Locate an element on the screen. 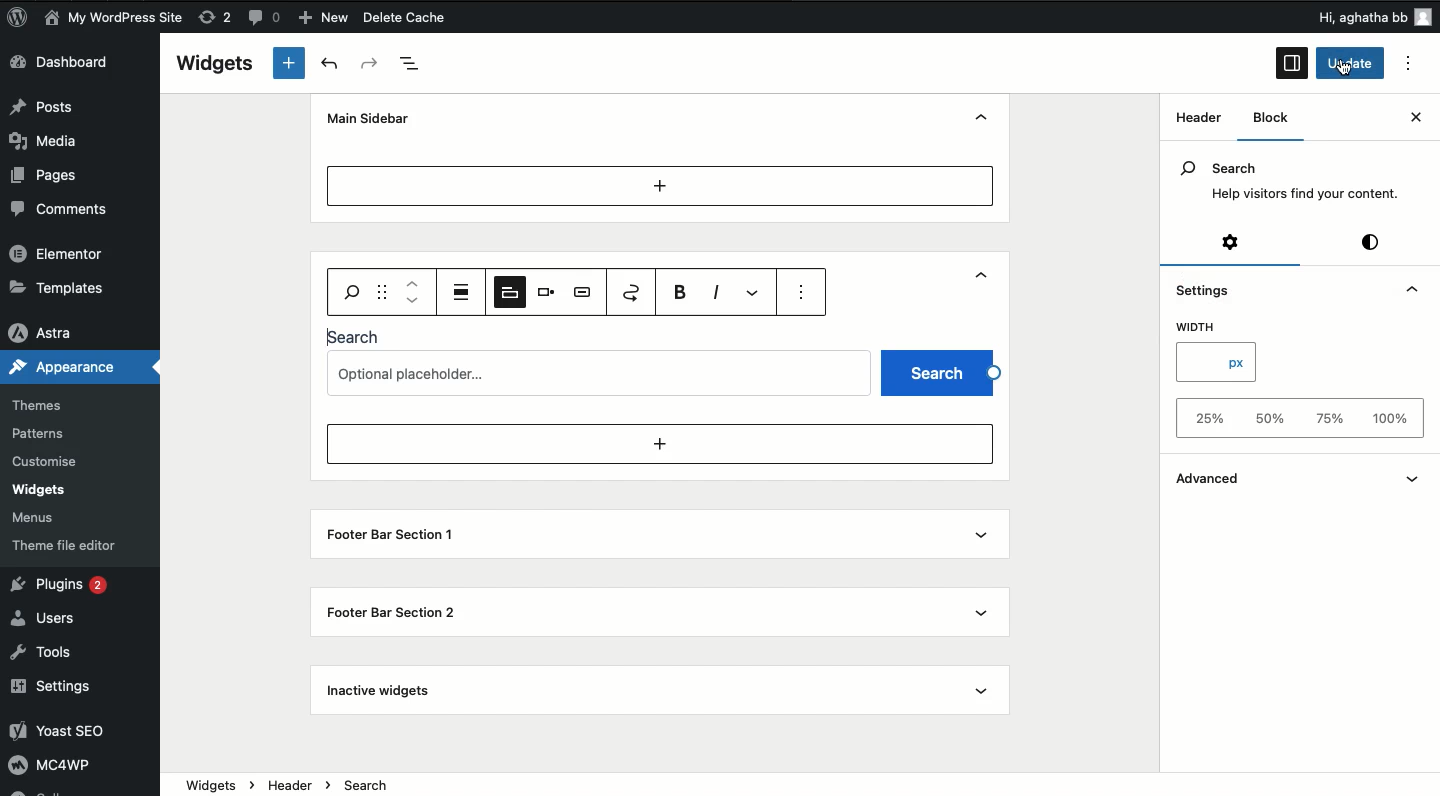 This screenshot has height=796, width=1440. Drag is located at coordinates (383, 291).